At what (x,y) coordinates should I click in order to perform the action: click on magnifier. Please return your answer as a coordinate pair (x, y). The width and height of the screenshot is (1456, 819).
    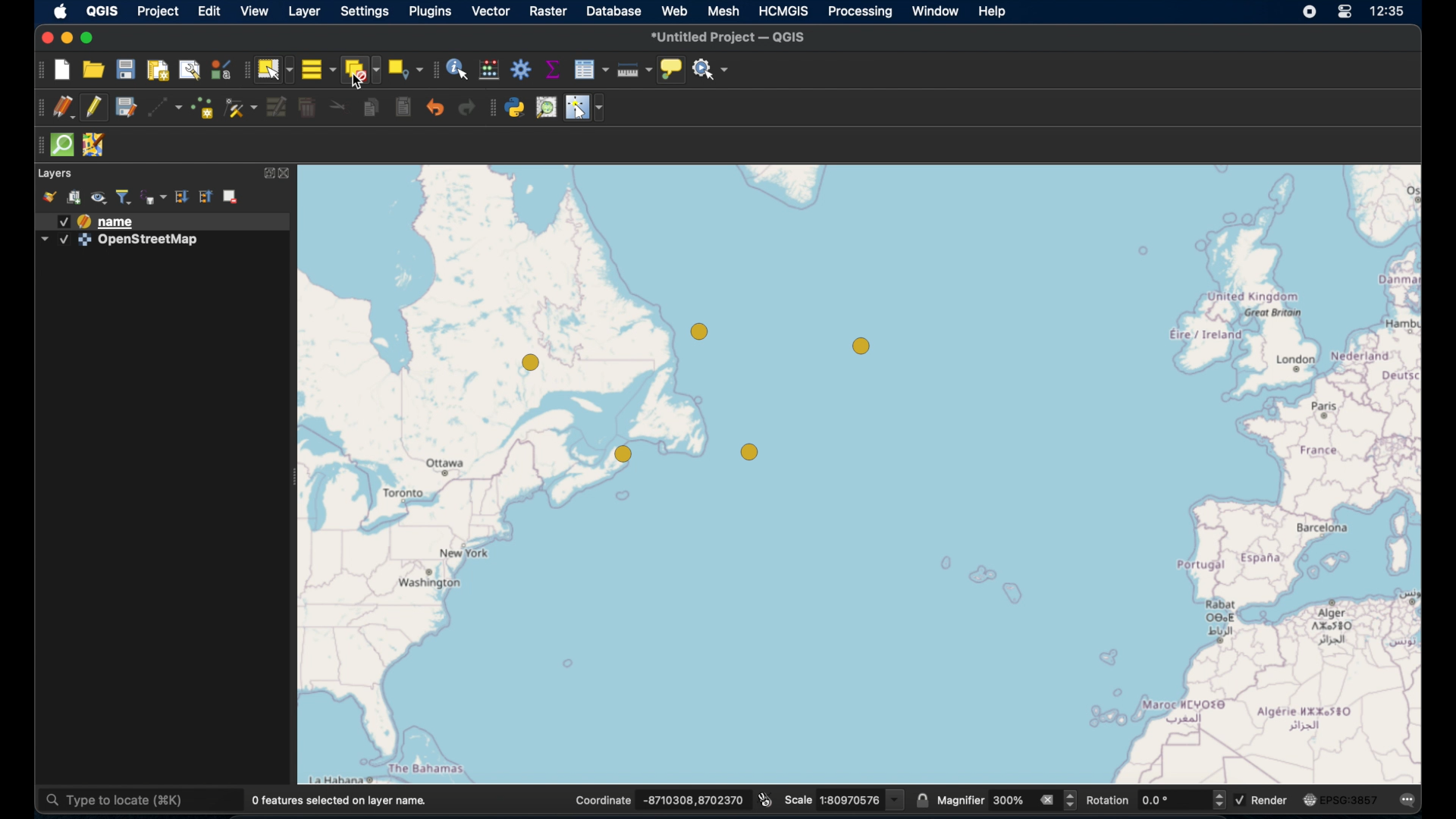
    Looking at the image, I should click on (961, 800).